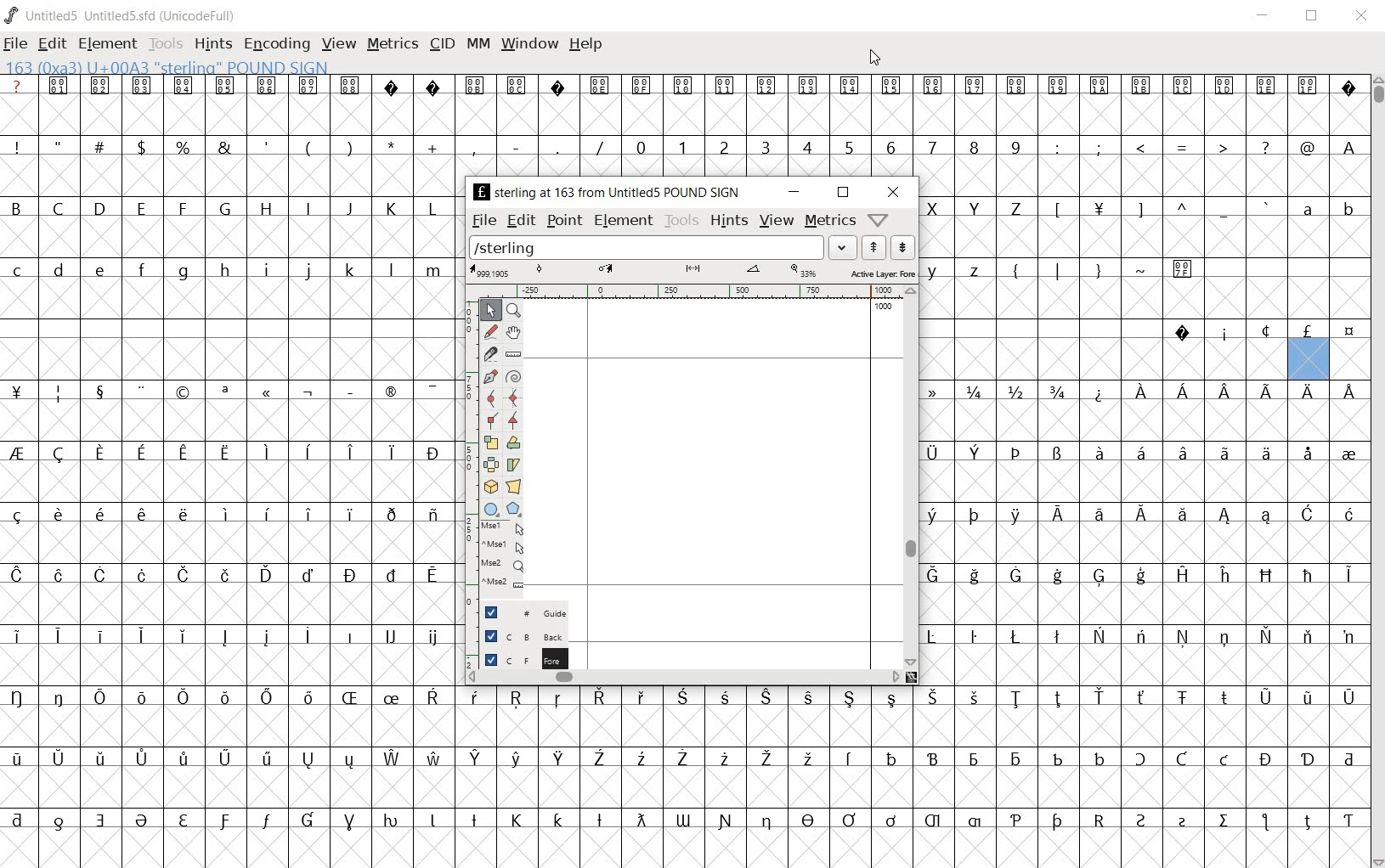 This screenshot has height=868, width=1385. I want to click on , so click(933, 697).